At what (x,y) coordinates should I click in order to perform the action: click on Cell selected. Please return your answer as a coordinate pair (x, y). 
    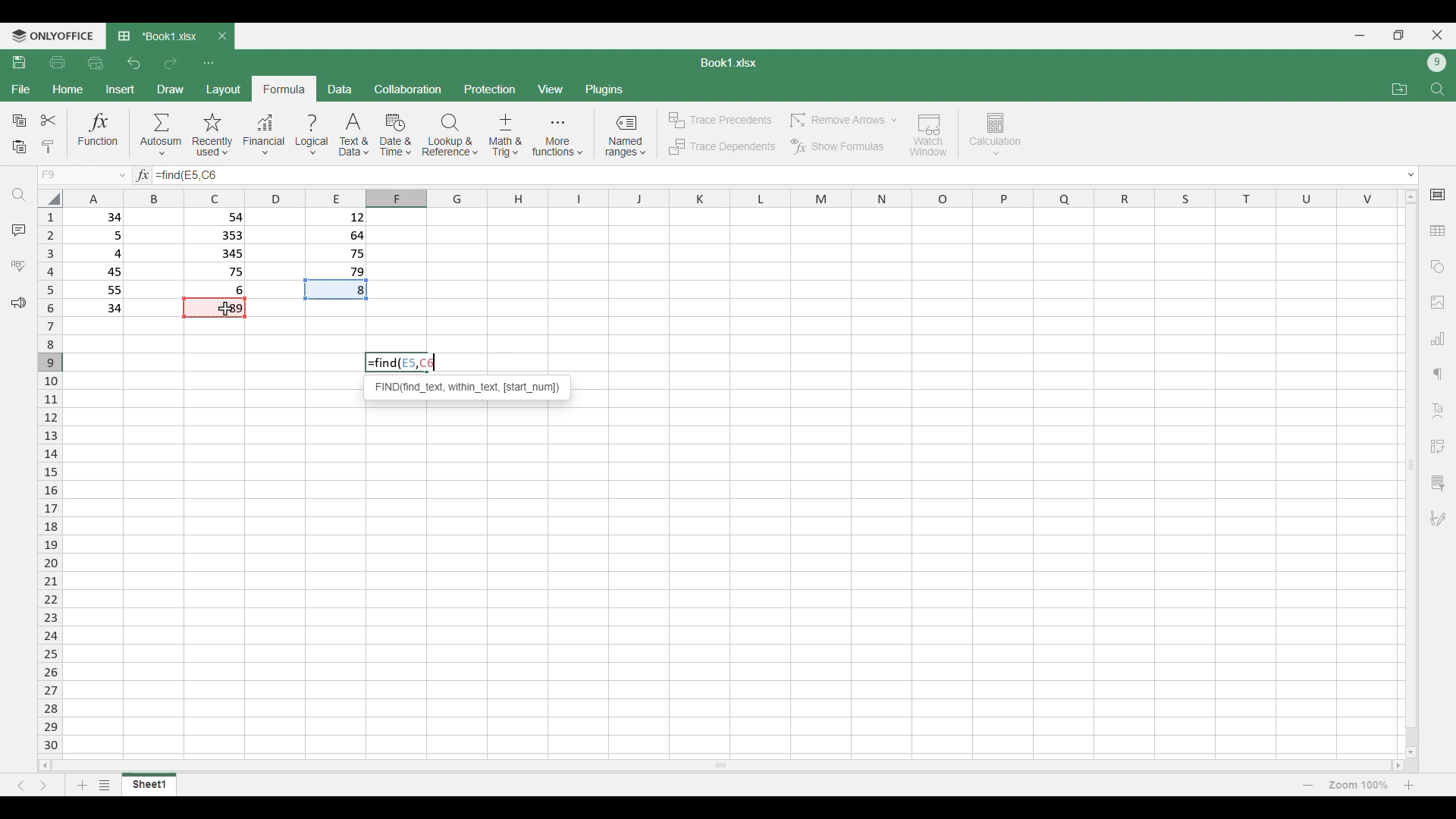
    Looking at the image, I should click on (214, 307).